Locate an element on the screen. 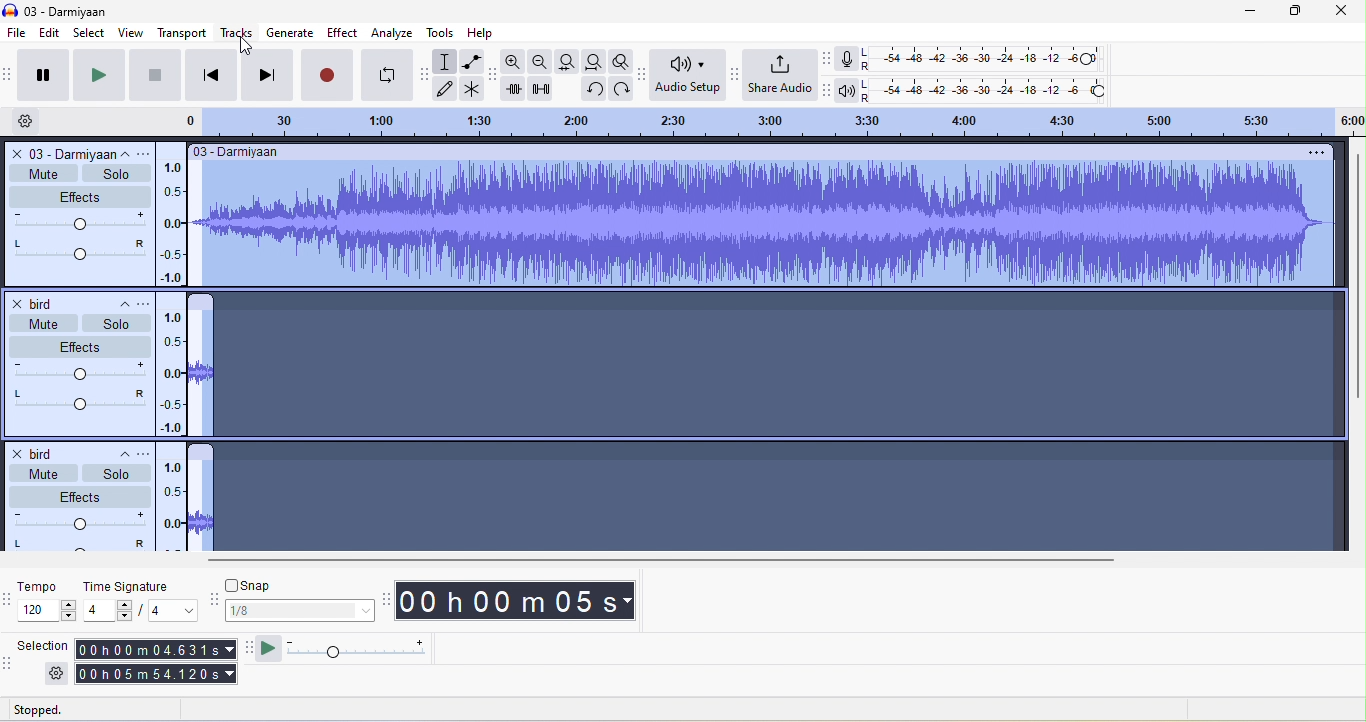 This screenshot has width=1366, height=722. silence audio selection is located at coordinates (543, 89).